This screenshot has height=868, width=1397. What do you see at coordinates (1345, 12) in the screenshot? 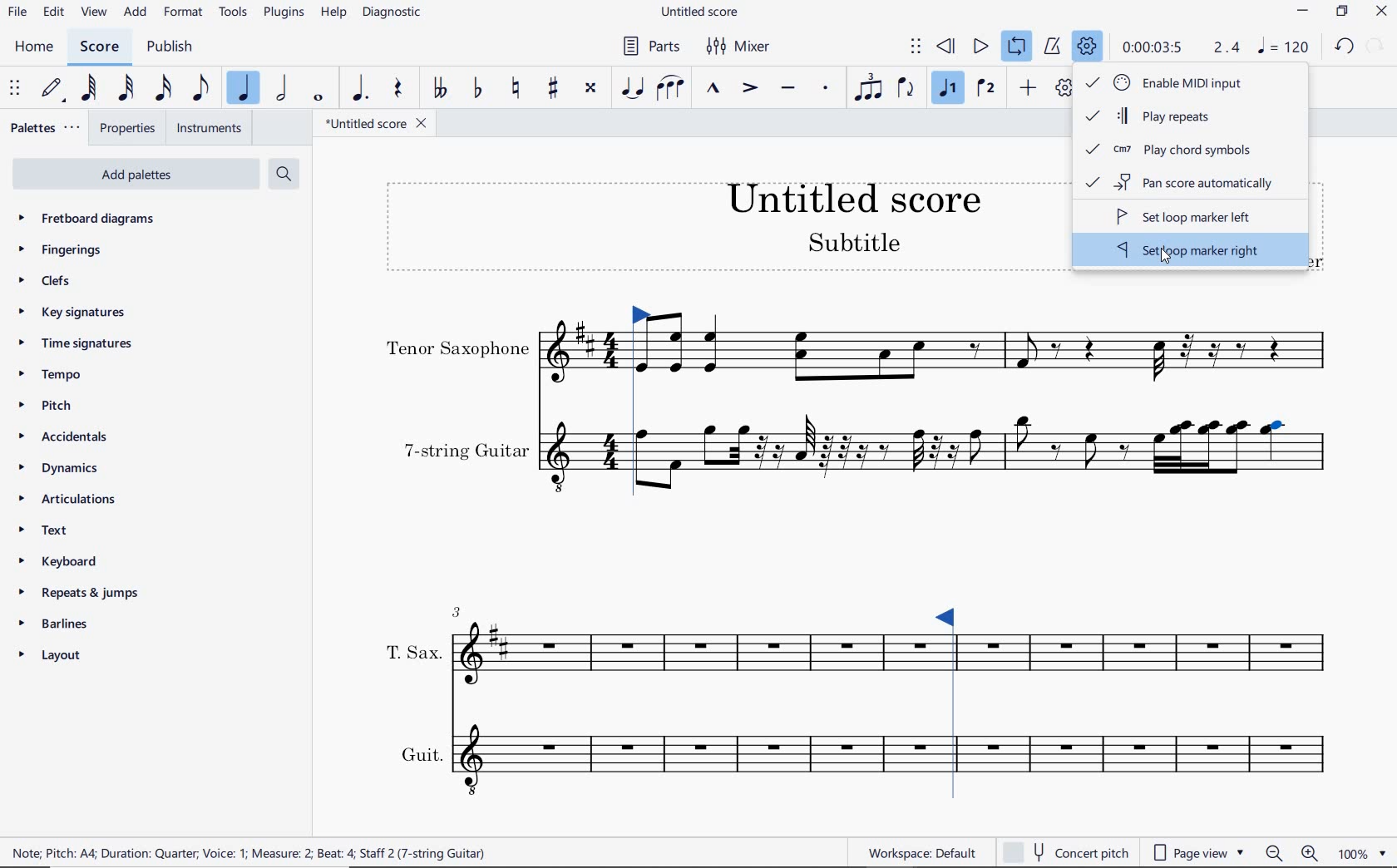
I see `RESTORE DOWN` at bounding box center [1345, 12].